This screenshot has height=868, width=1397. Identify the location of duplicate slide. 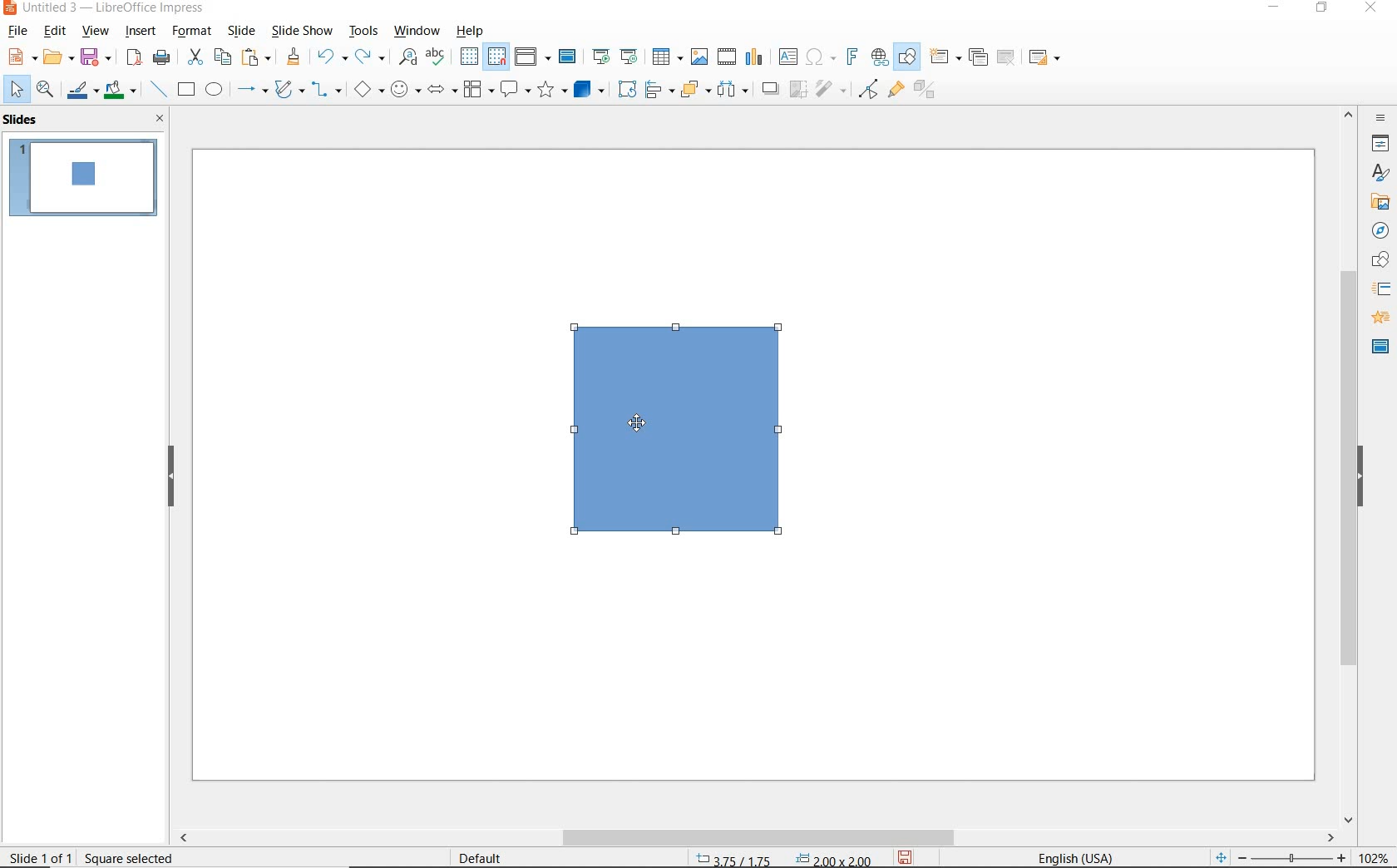
(979, 57).